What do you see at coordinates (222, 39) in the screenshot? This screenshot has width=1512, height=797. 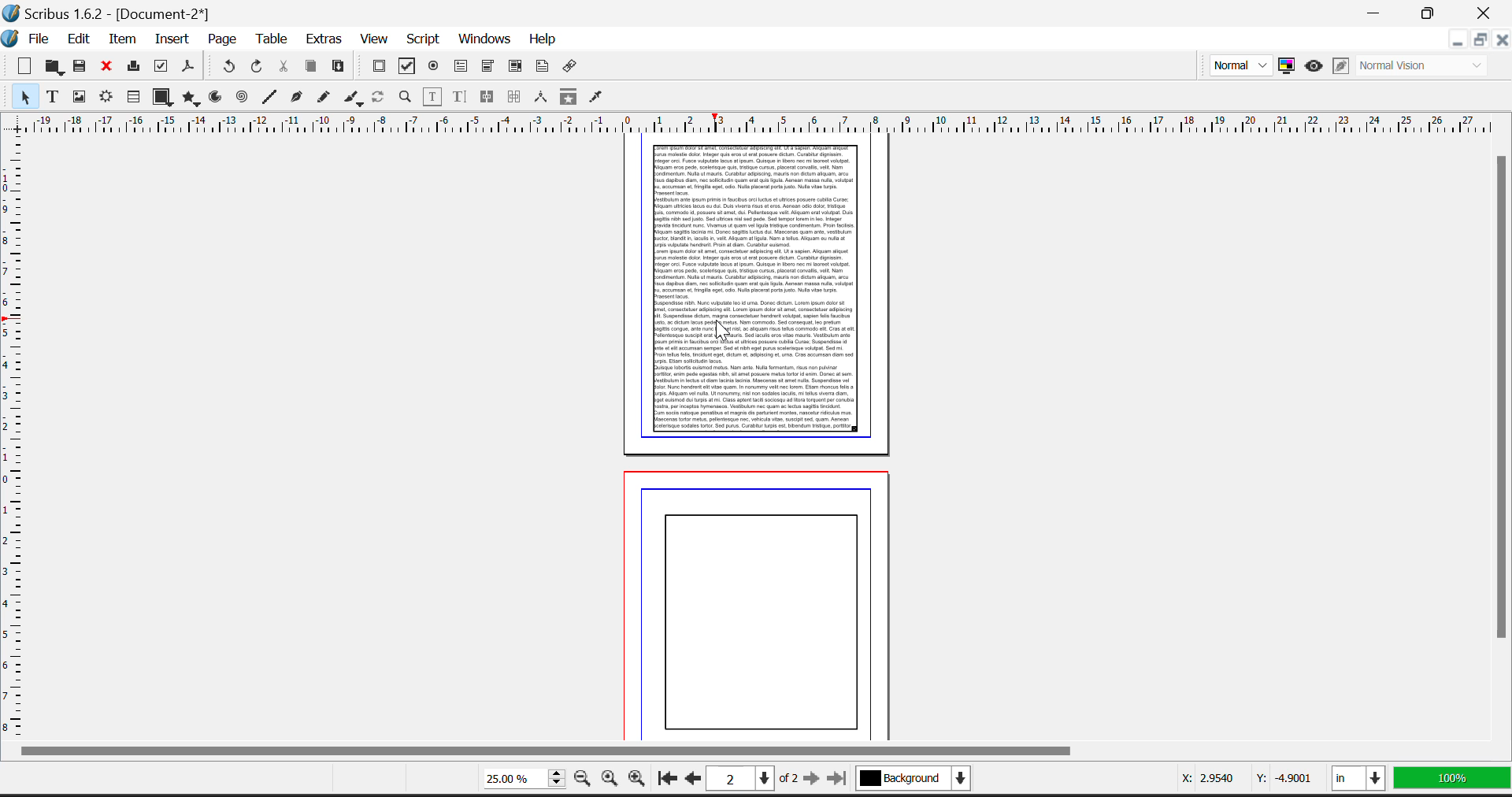 I see `Page` at bounding box center [222, 39].